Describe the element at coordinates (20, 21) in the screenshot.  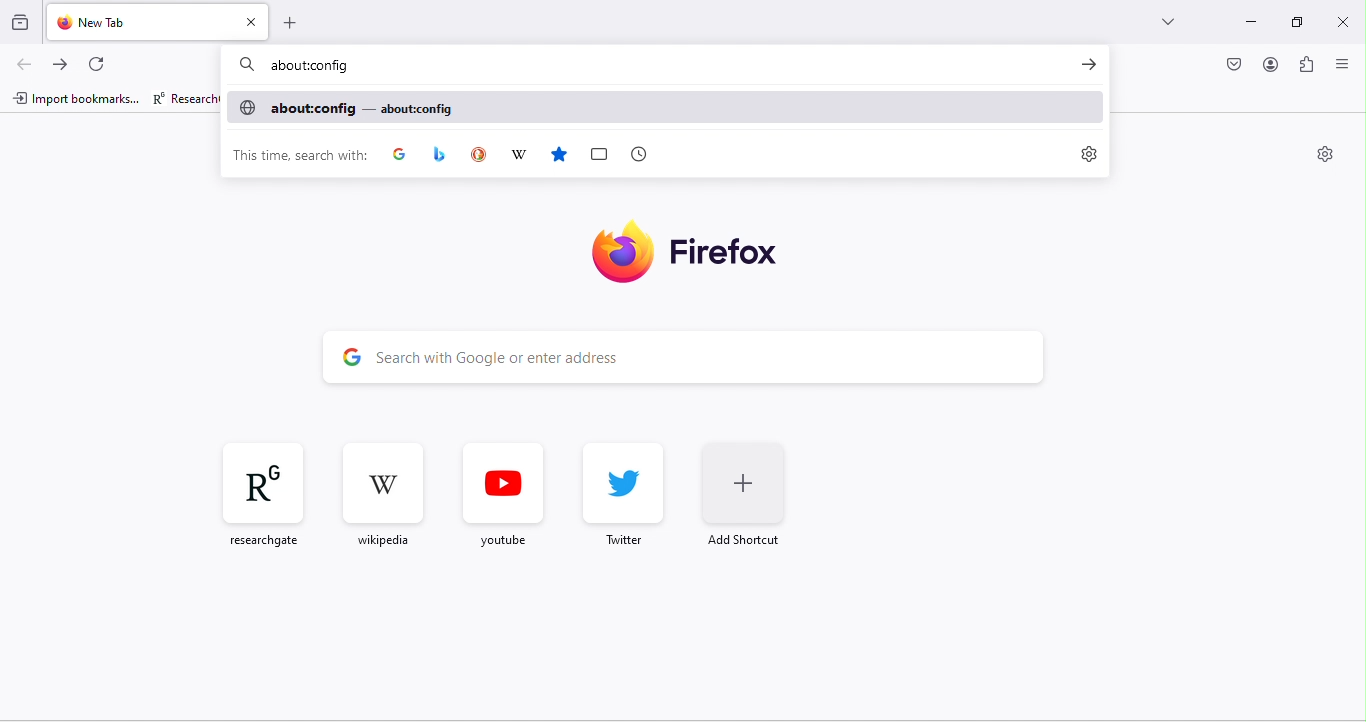
I see `view recent` at that location.